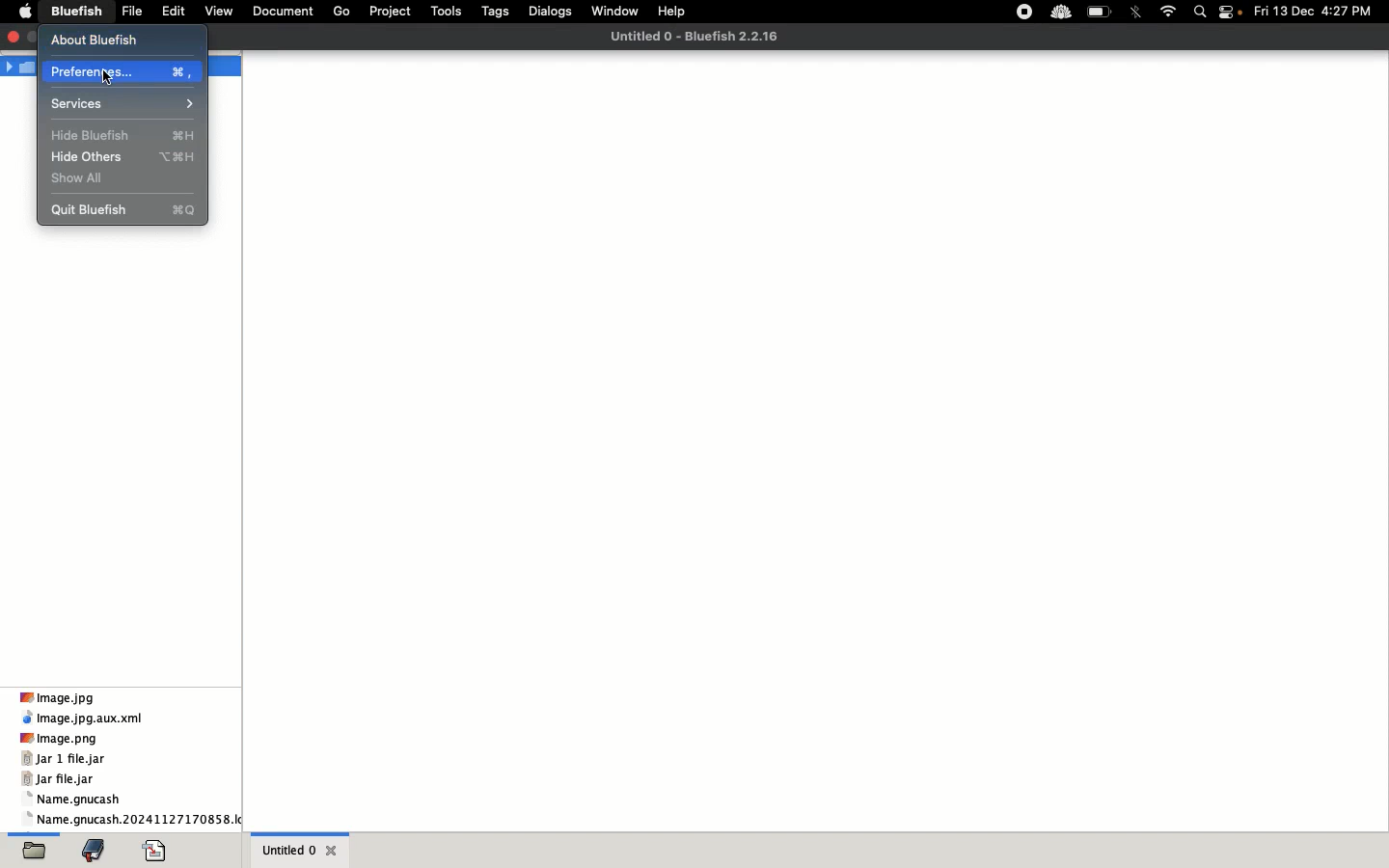  Describe the element at coordinates (613, 11) in the screenshot. I see `Window` at that location.